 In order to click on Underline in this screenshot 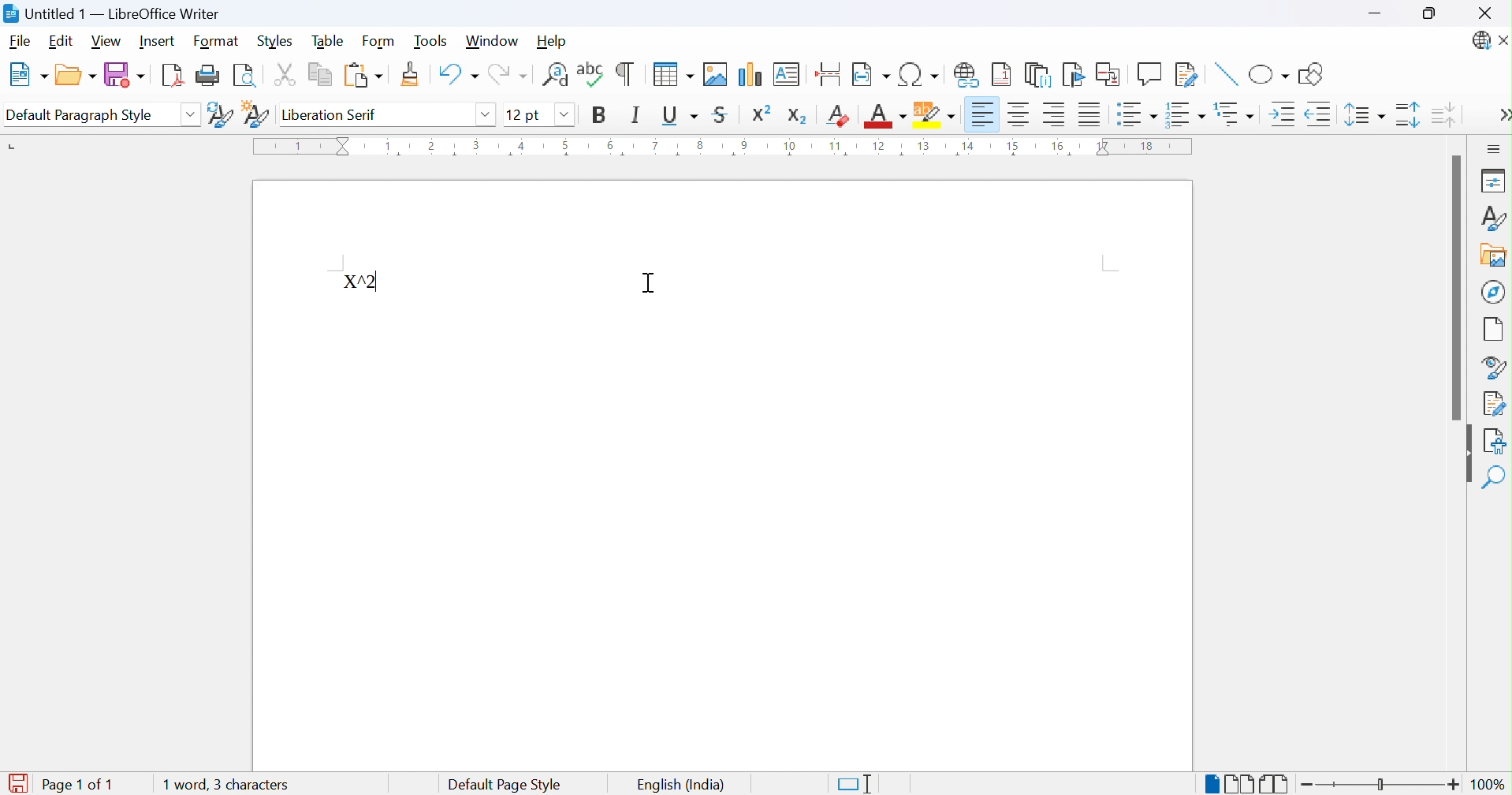, I will do `click(679, 117)`.